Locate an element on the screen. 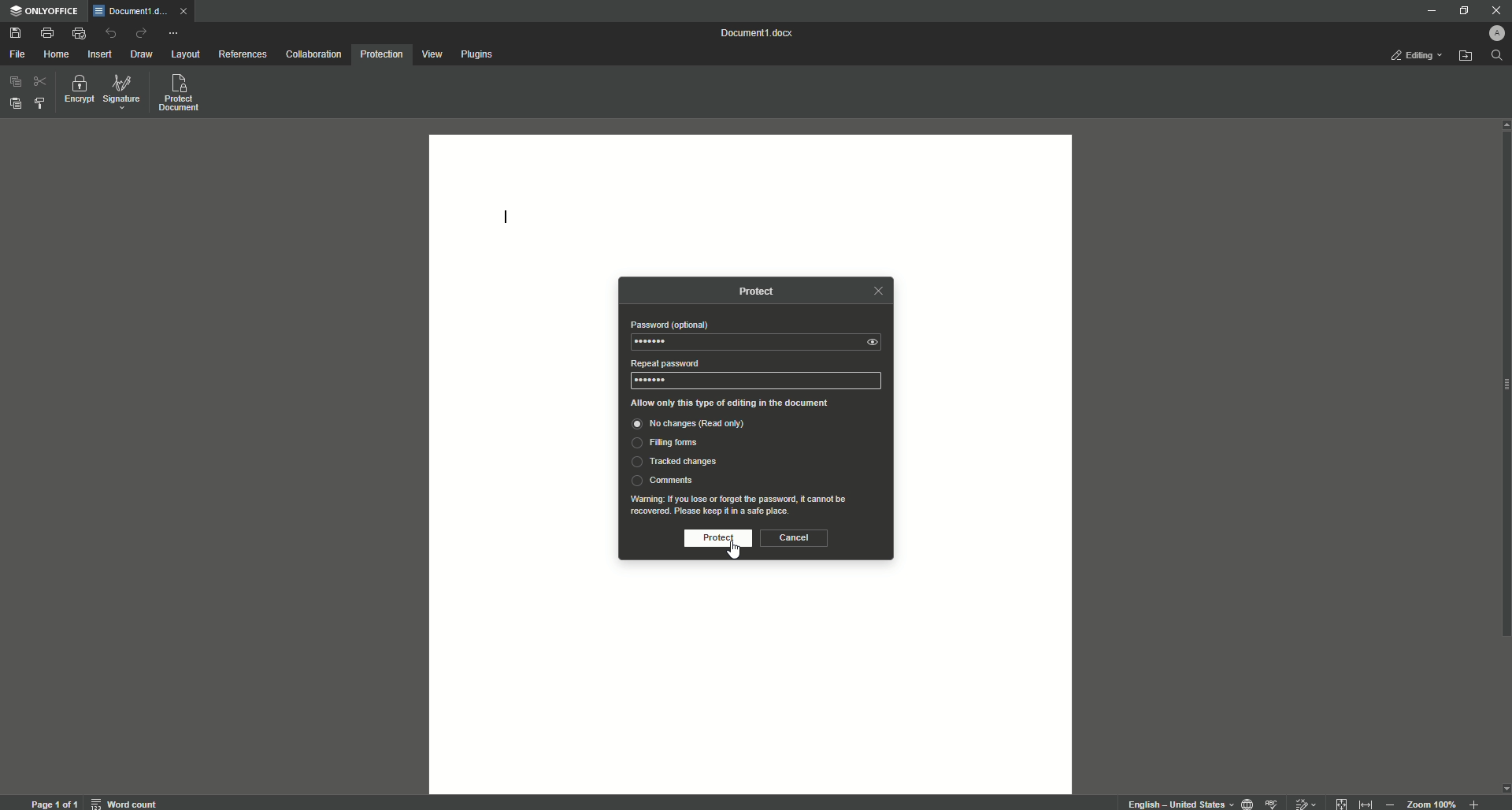 The image size is (1512, 810). Signature is located at coordinates (122, 92).